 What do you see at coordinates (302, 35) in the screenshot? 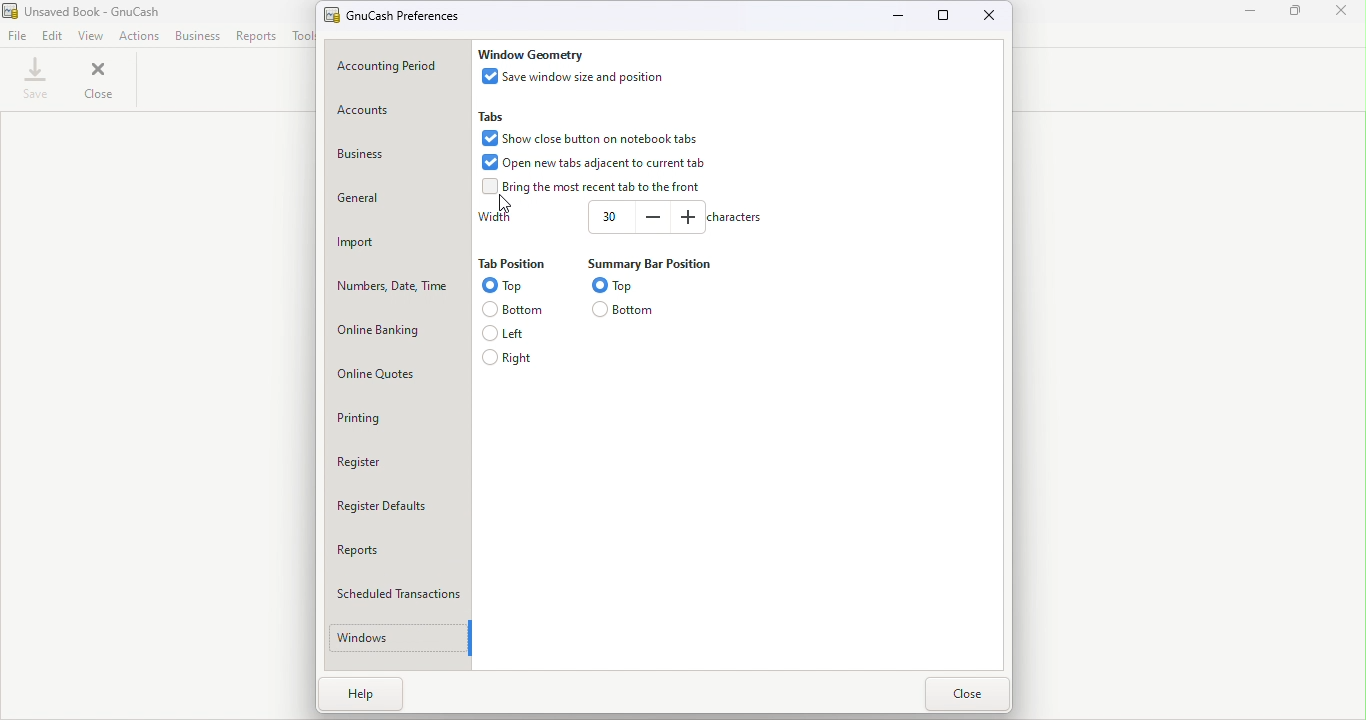
I see `Tools` at bounding box center [302, 35].